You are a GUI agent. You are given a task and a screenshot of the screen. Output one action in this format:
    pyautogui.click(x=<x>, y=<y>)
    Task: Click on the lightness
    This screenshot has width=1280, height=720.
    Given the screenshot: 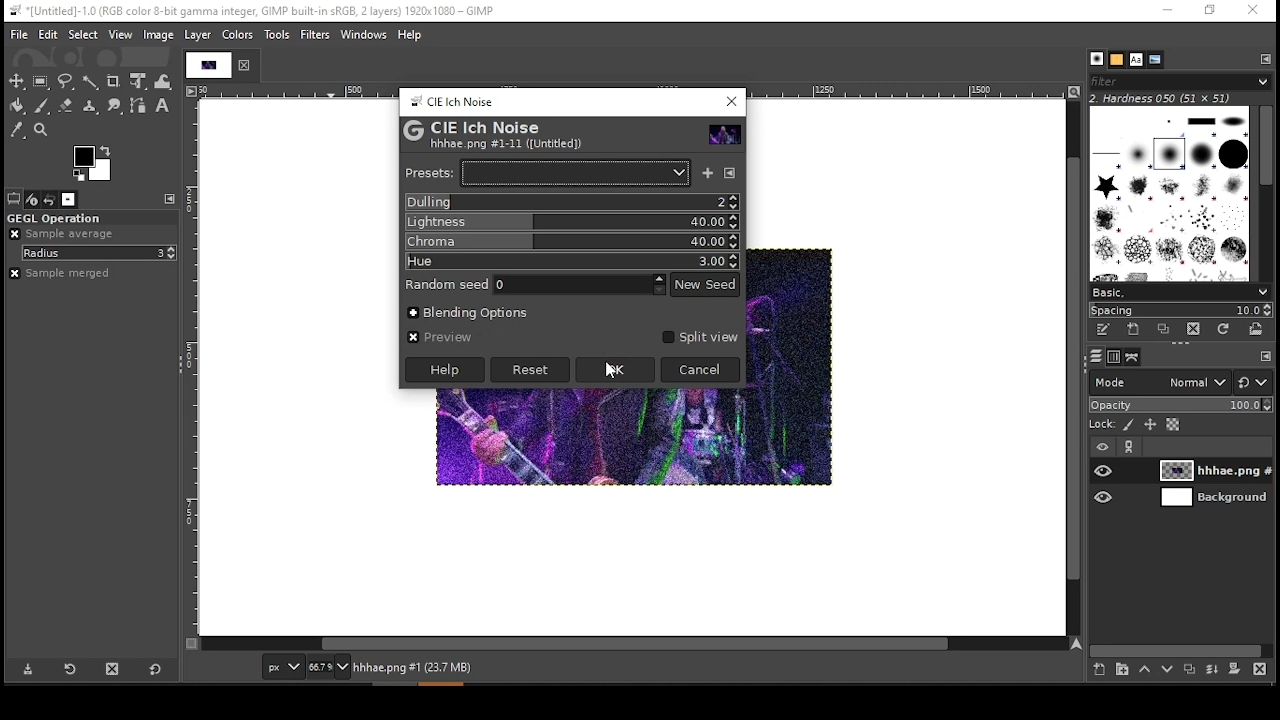 What is the action you would take?
    pyautogui.click(x=572, y=221)
    